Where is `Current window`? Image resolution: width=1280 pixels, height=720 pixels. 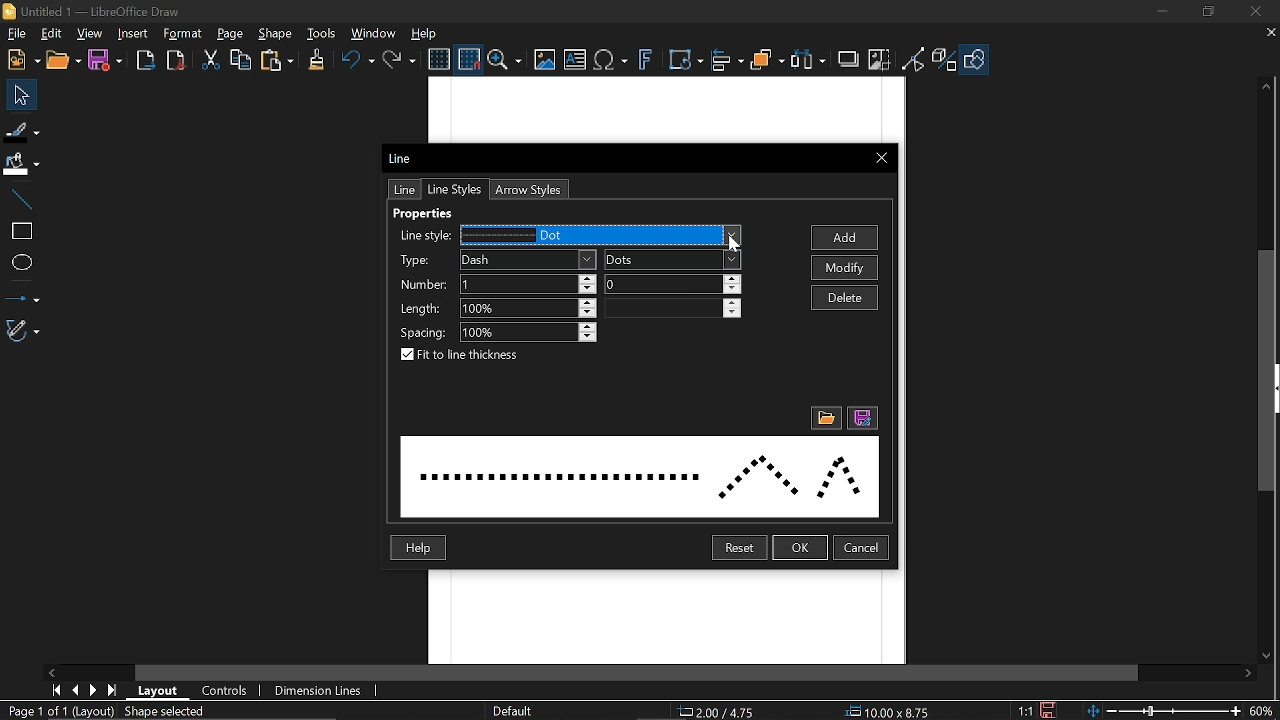 Current window is located at coordinates (95, 12).